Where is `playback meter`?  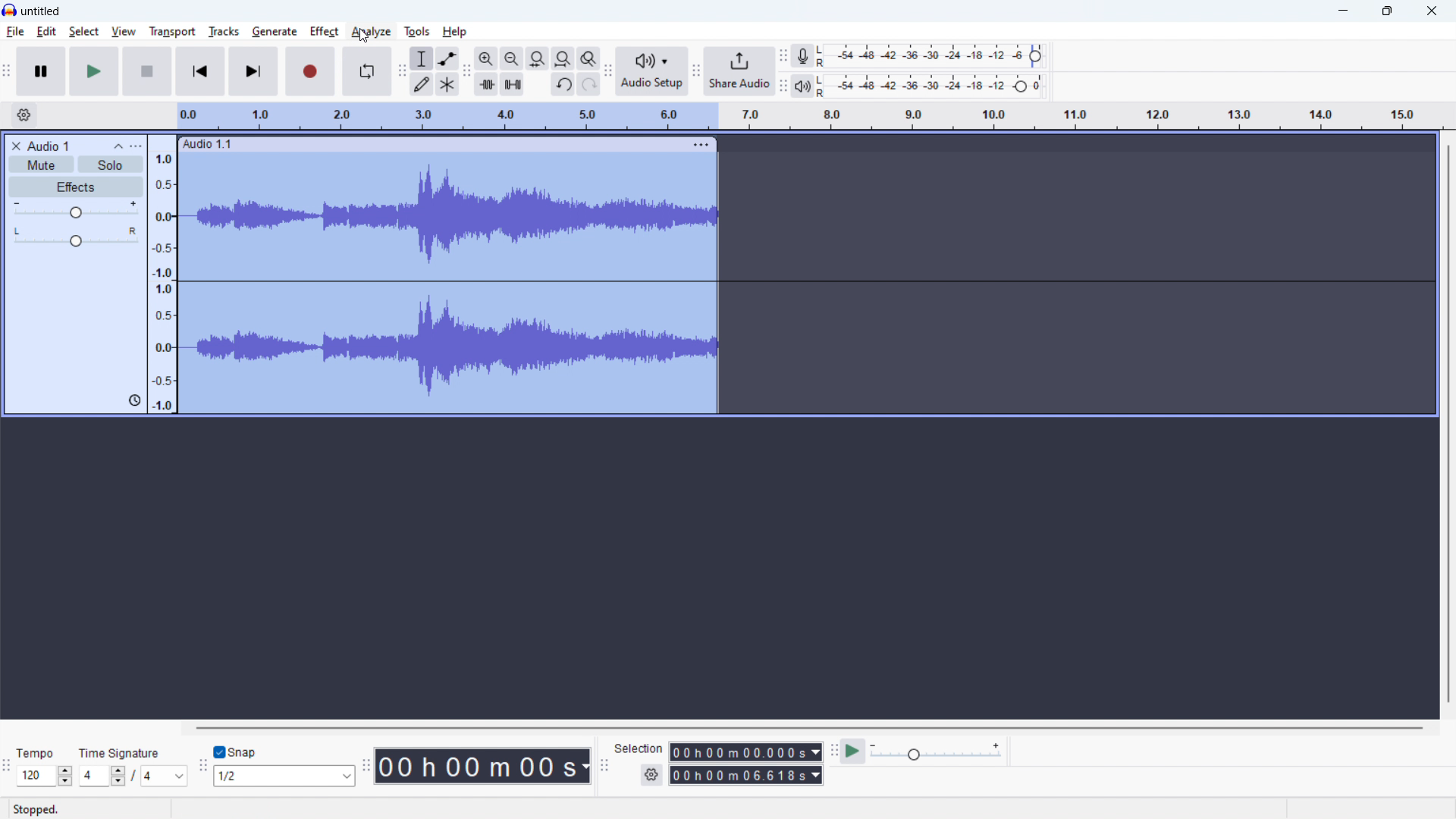 playback meter is located at coordinates (801, 86).